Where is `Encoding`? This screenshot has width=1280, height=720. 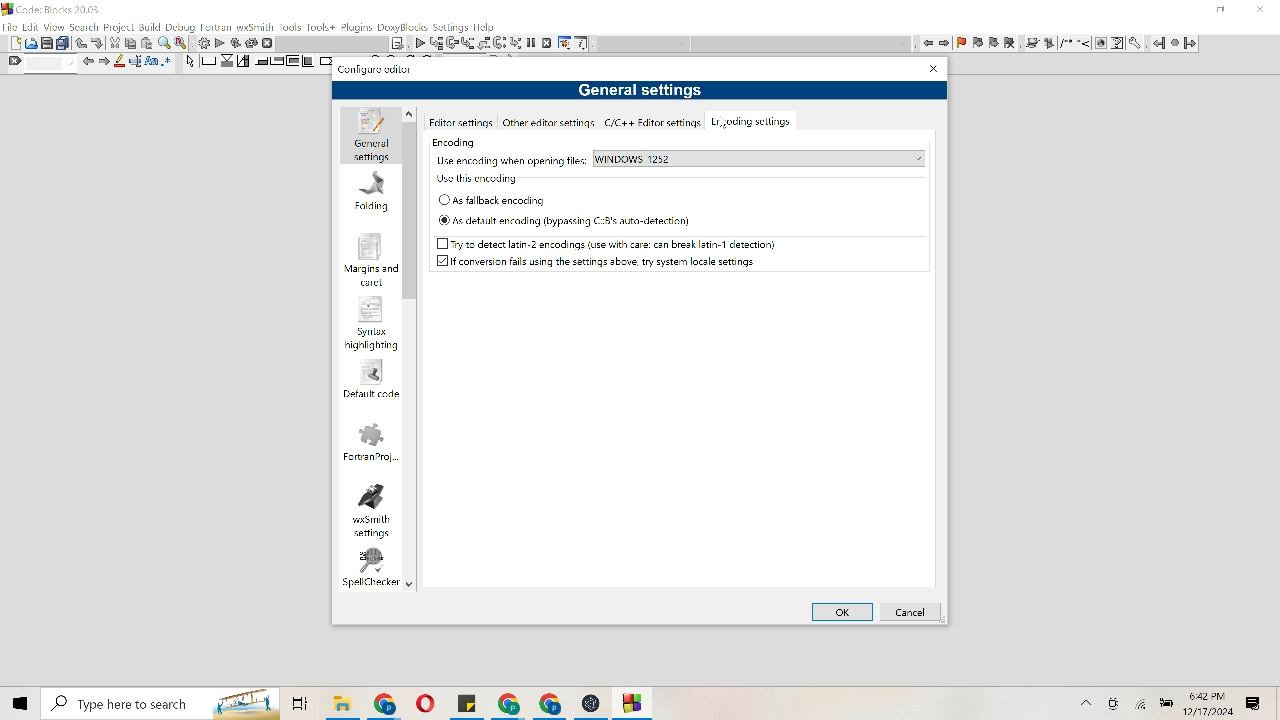
Encoding is located at coordinates (454, 141).